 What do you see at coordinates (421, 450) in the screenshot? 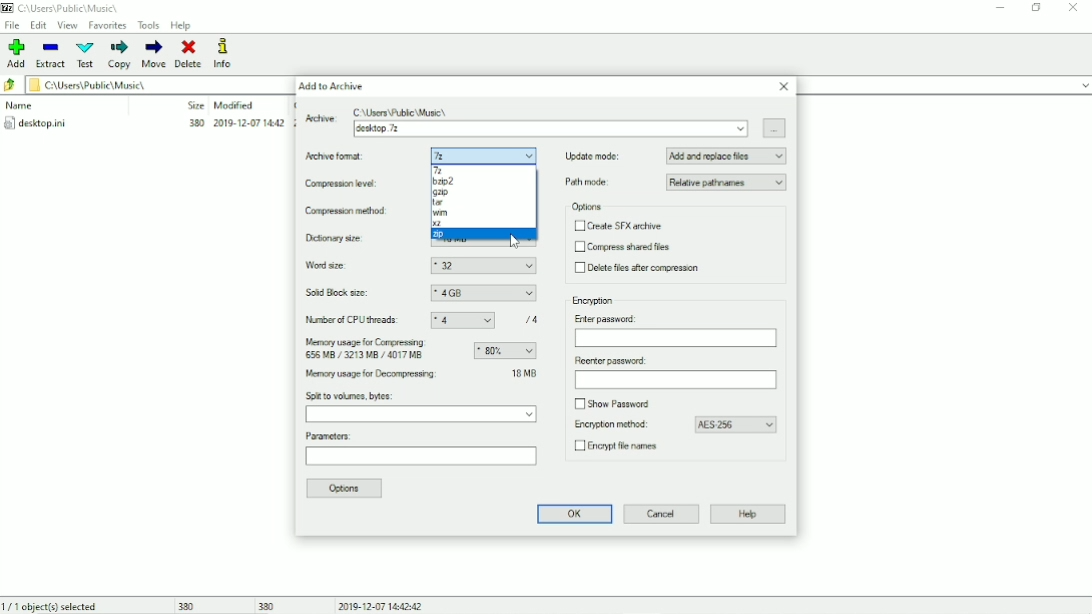
I see `Parameters` at bounding box center [421, 450].